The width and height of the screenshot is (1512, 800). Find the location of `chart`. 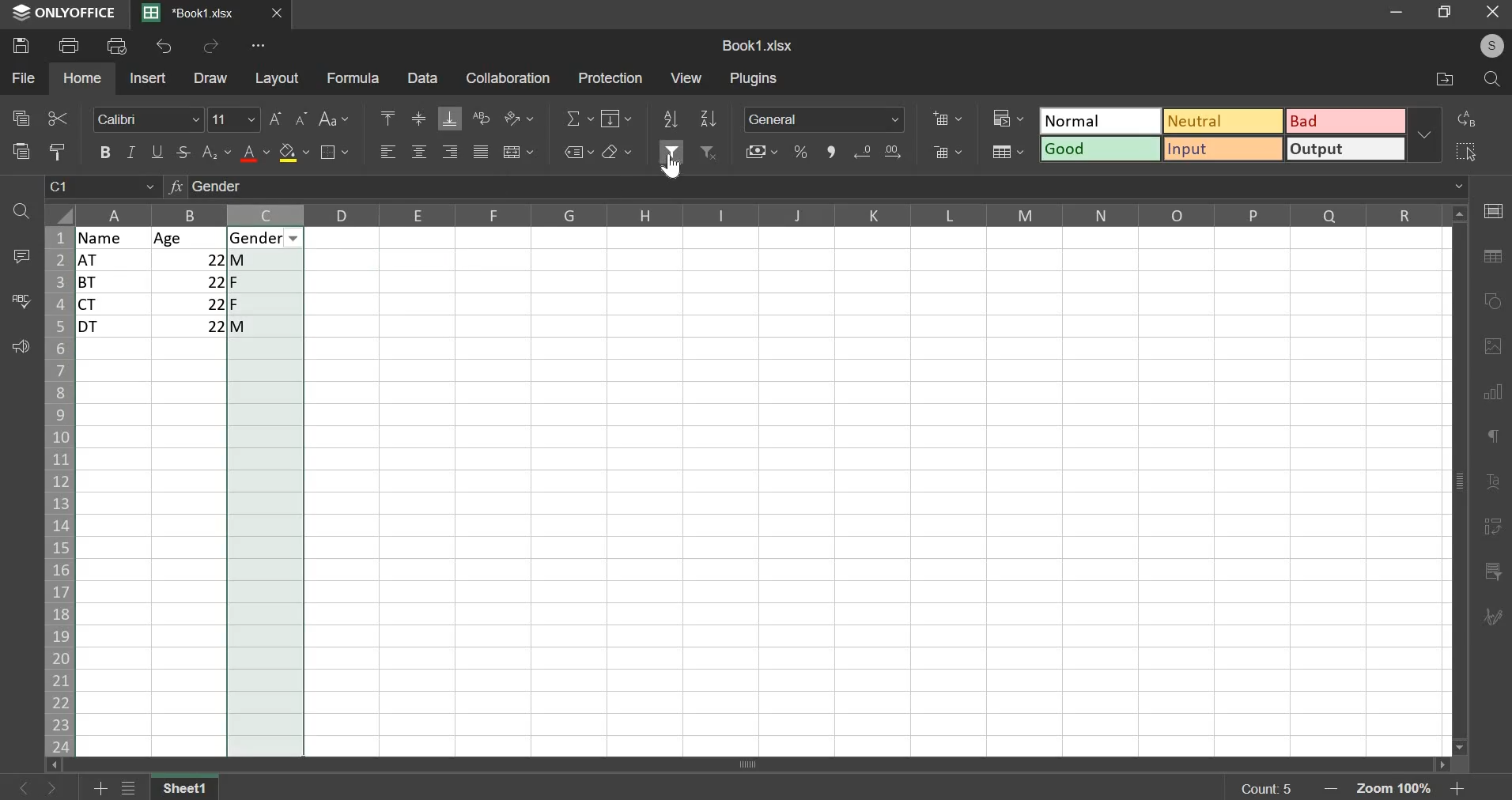

chart is located at coordinates (1495, 399).